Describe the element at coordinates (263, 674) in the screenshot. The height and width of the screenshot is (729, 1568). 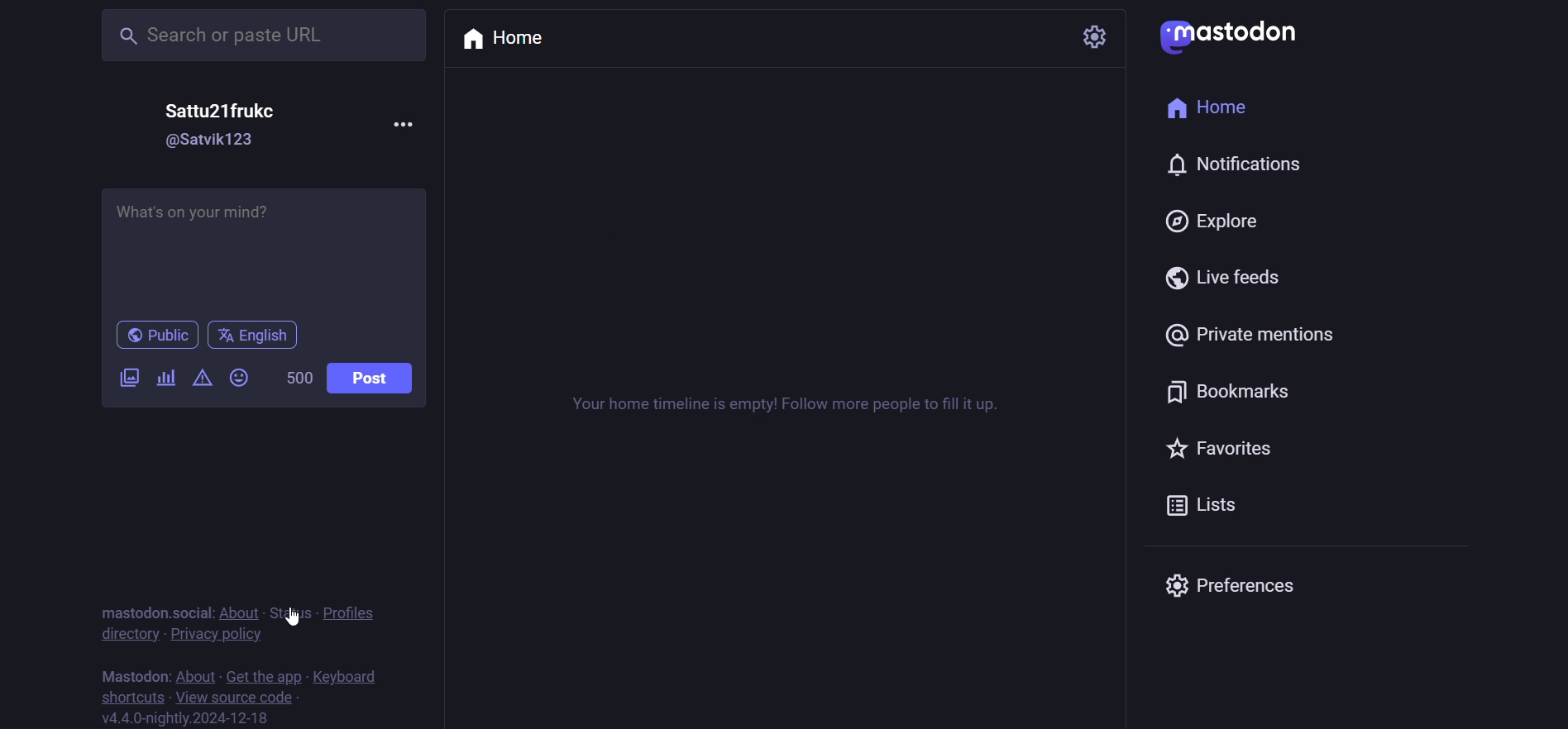
I see `get the app` at that location.